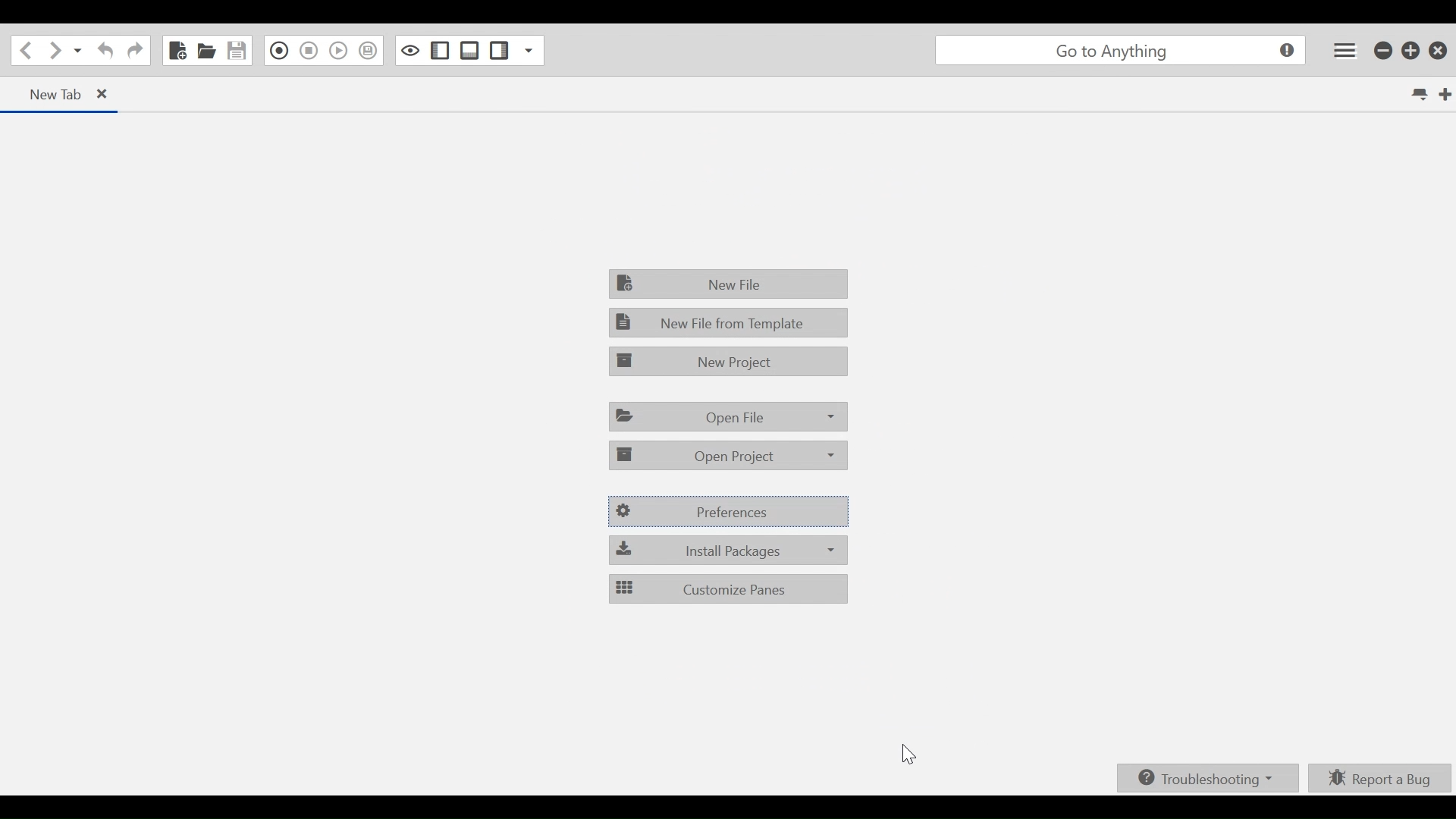 Image resolution: width=1456 pixels, height=819 pixels. Describe the element at coordinates (280, 50) in the screenshot. I see `Recording in Macro ` at that location.